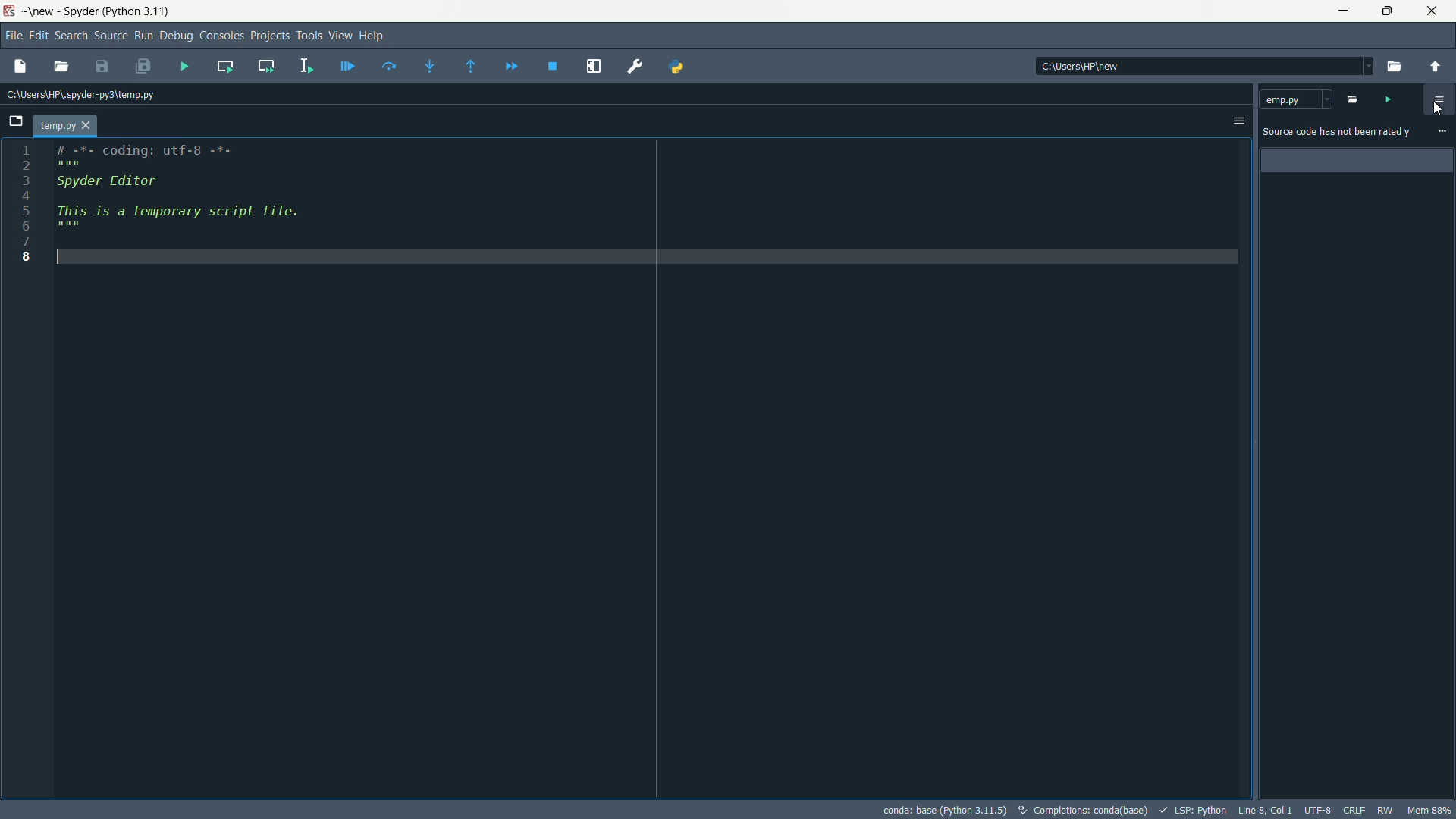  I want to click on debug menu, so click(177, 36).